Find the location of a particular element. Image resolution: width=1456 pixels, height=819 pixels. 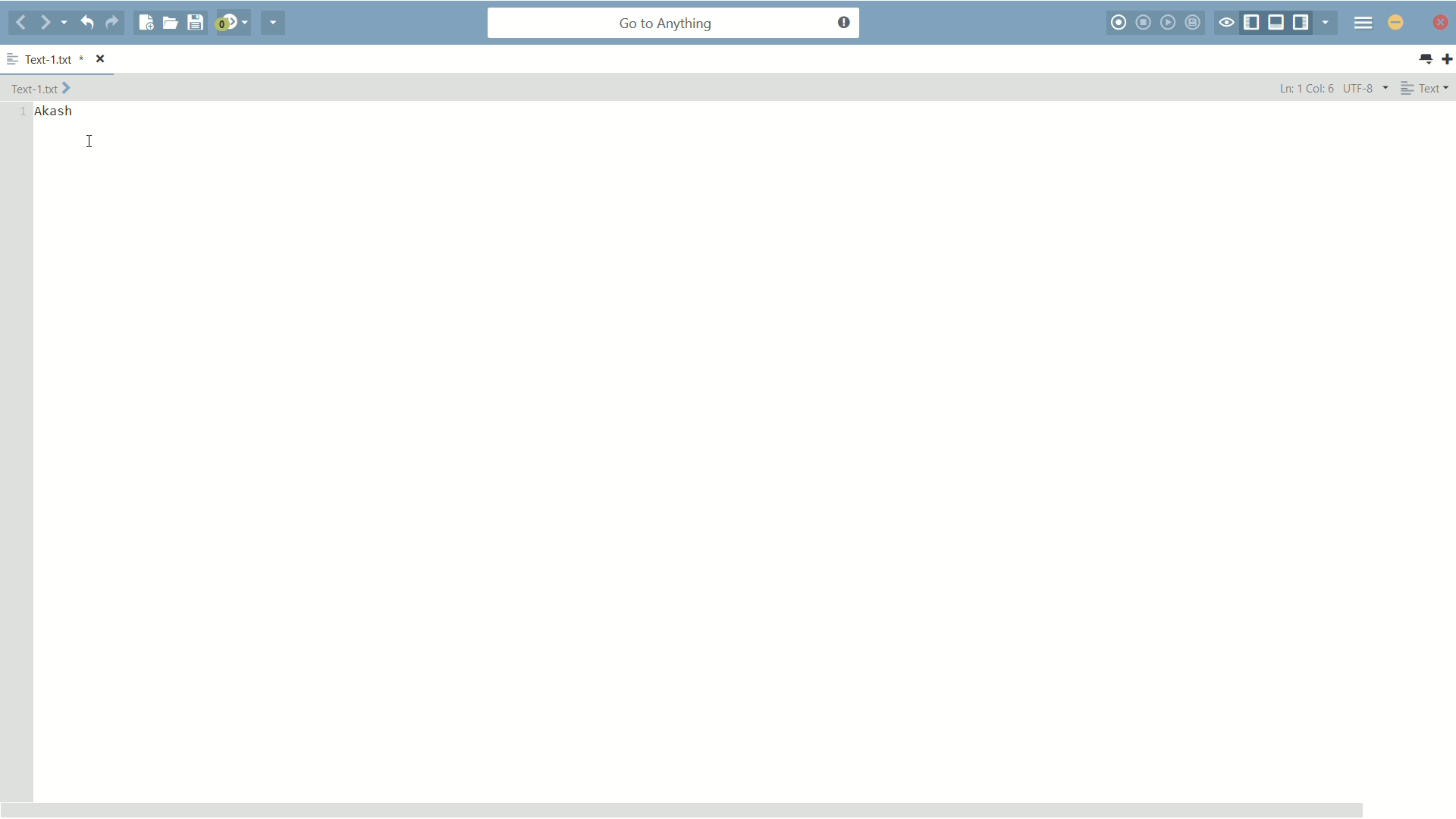

close app is located at coordinates (1442, 23).